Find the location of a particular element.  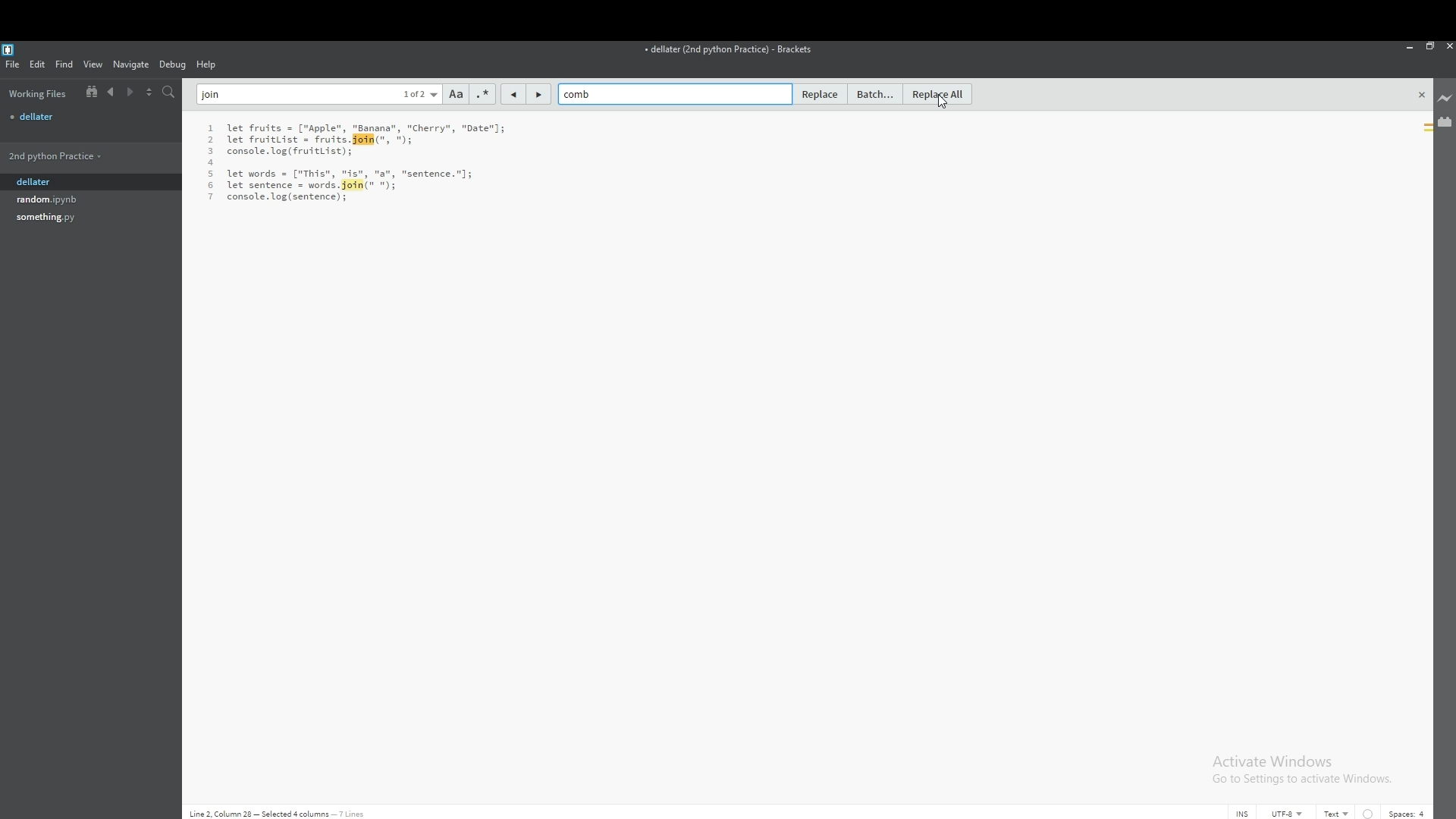

live preview is located at coordinates (1444, 99).